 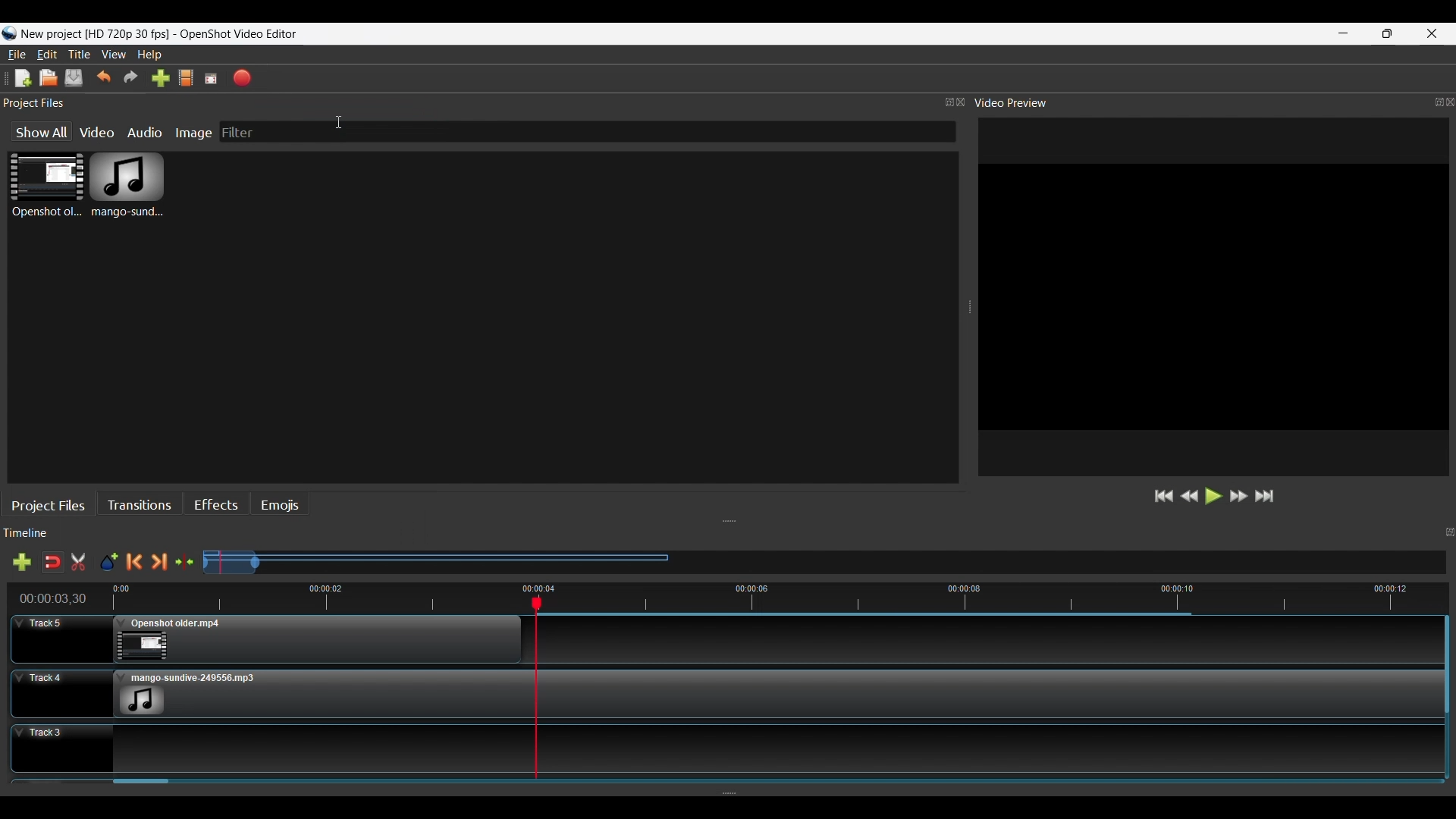 I want to click on Previous Marker, so click(x=134, y=559).